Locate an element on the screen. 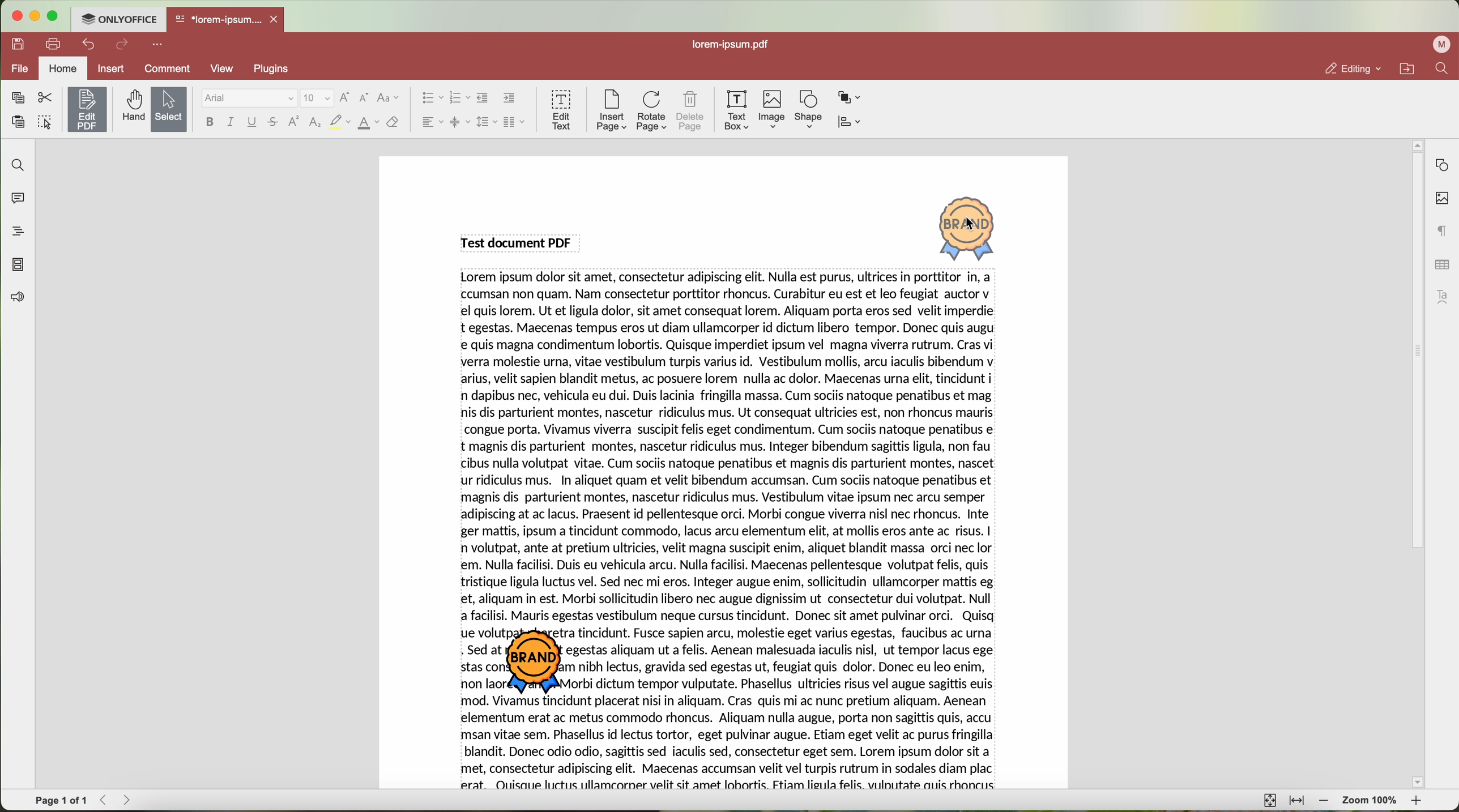  zoom 100% is located at coordinates (1371, 802).